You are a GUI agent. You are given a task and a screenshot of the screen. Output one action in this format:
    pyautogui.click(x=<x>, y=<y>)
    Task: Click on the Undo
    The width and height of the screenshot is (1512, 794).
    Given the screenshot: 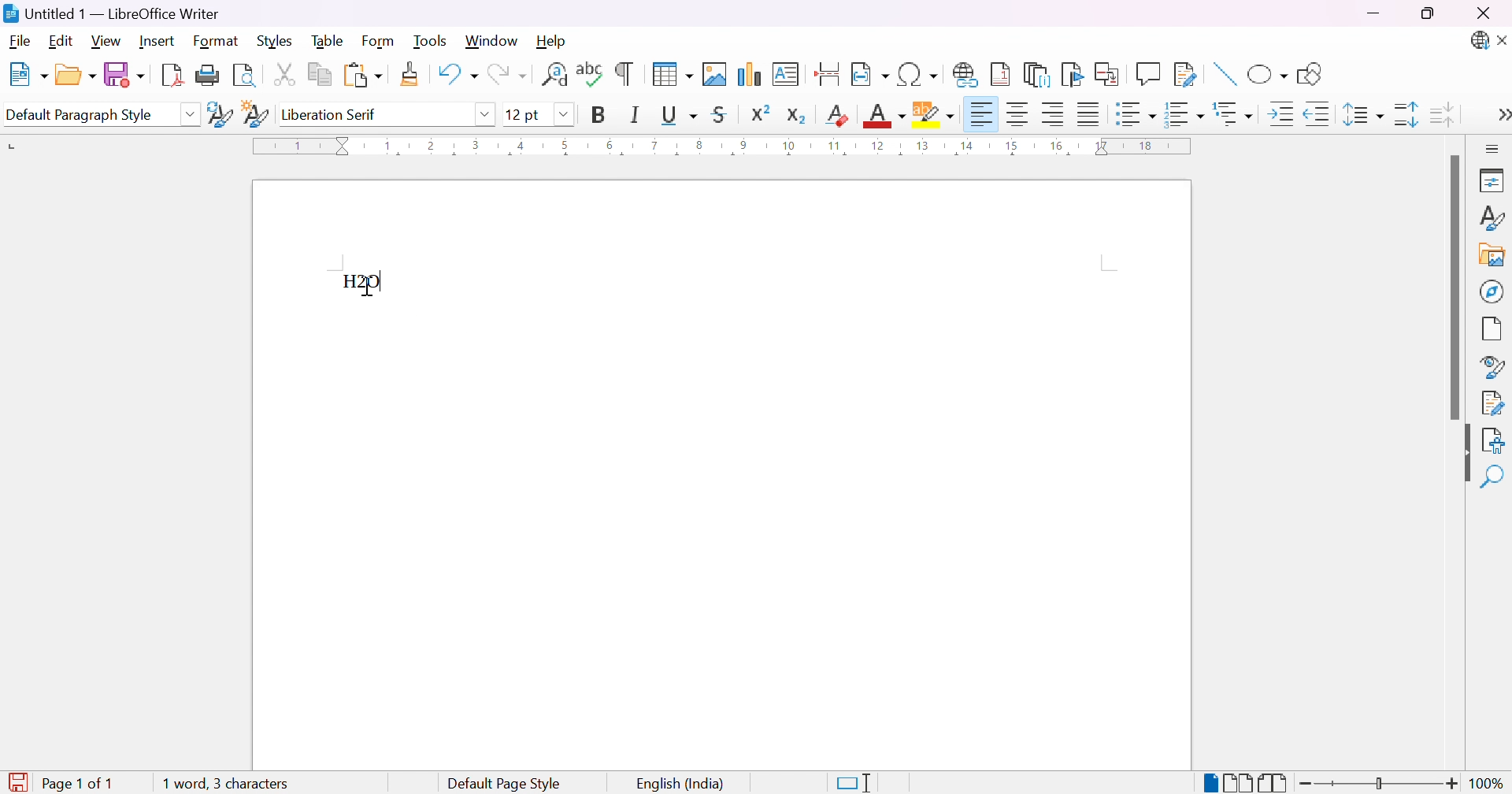 What is the action you would take?
    pyautogui.click(x=456, y=78)
    